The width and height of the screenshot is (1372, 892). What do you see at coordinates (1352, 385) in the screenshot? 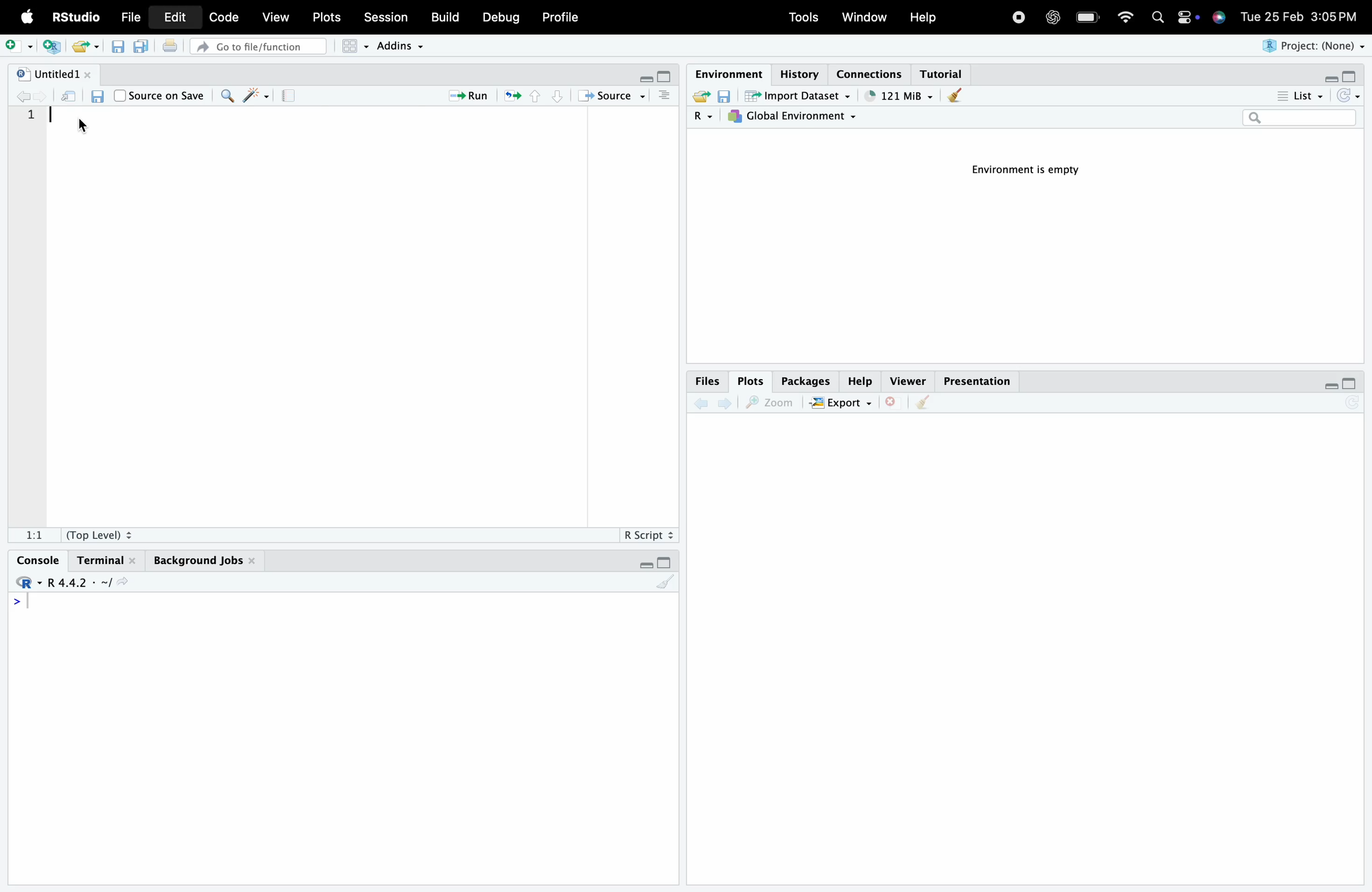
I see `Maximize/Restore` at bounding box center [1352, 385].